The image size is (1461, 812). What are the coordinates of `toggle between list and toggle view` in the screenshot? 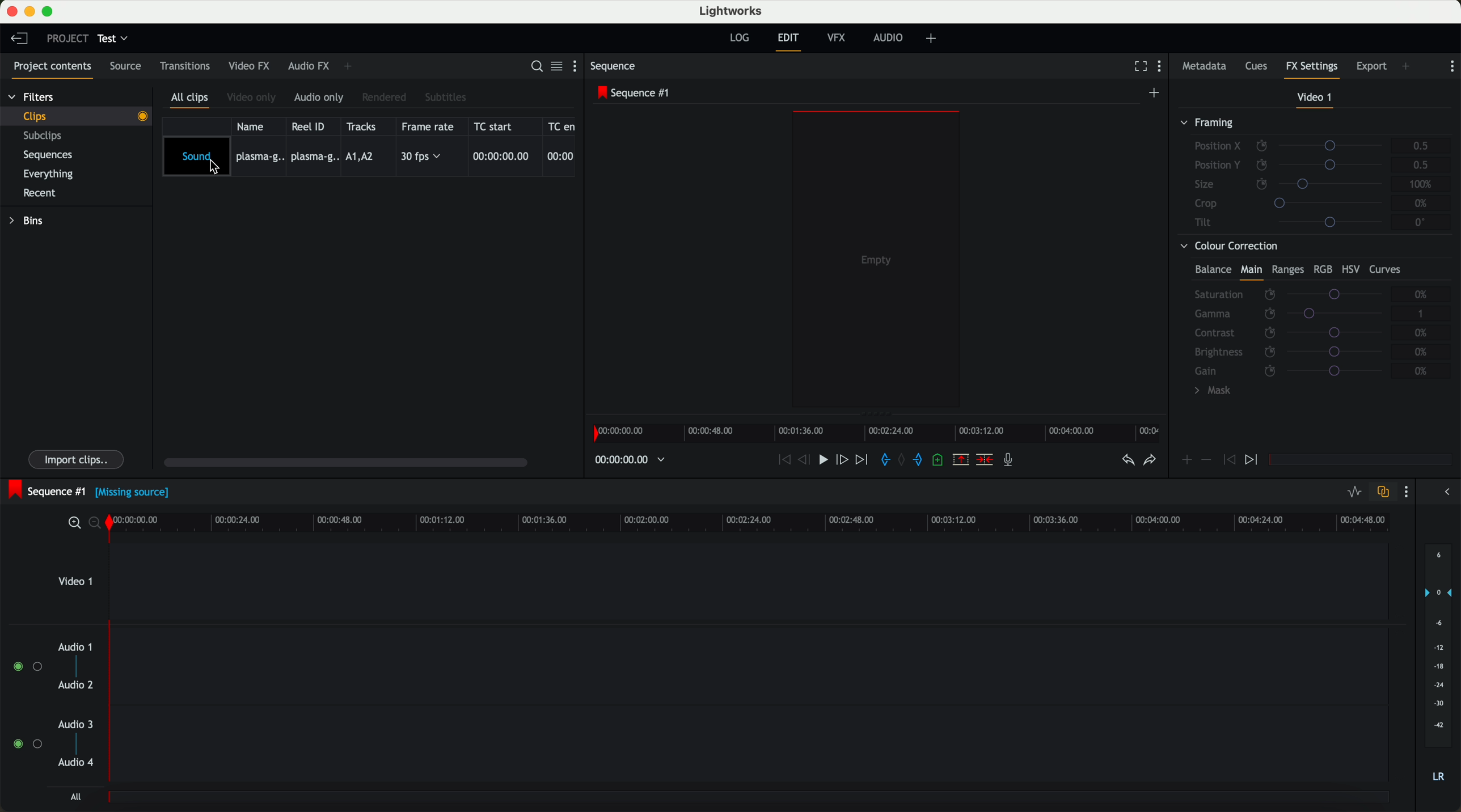 It's located at (558, 67).